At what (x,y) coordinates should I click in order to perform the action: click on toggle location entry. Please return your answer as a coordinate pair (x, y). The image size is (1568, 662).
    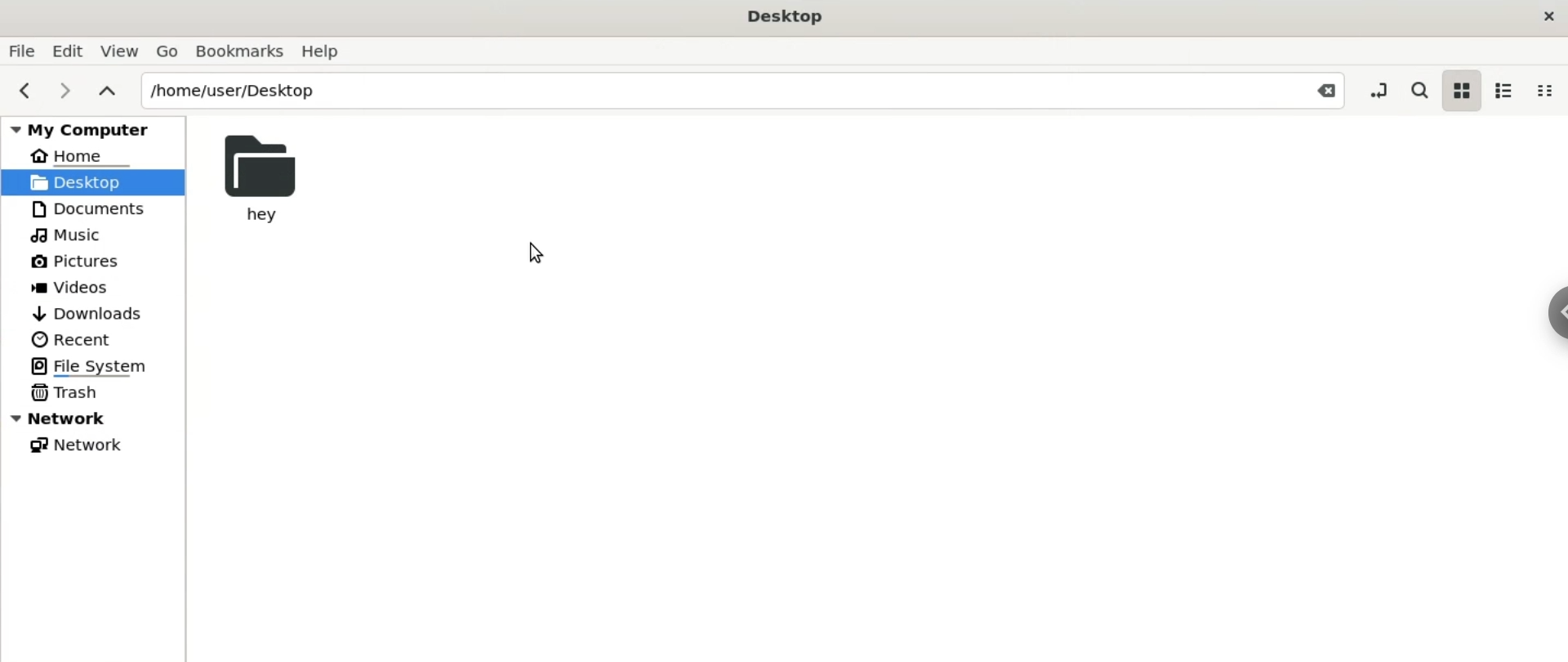
    Looking at the image, I should click on (1379, 93).